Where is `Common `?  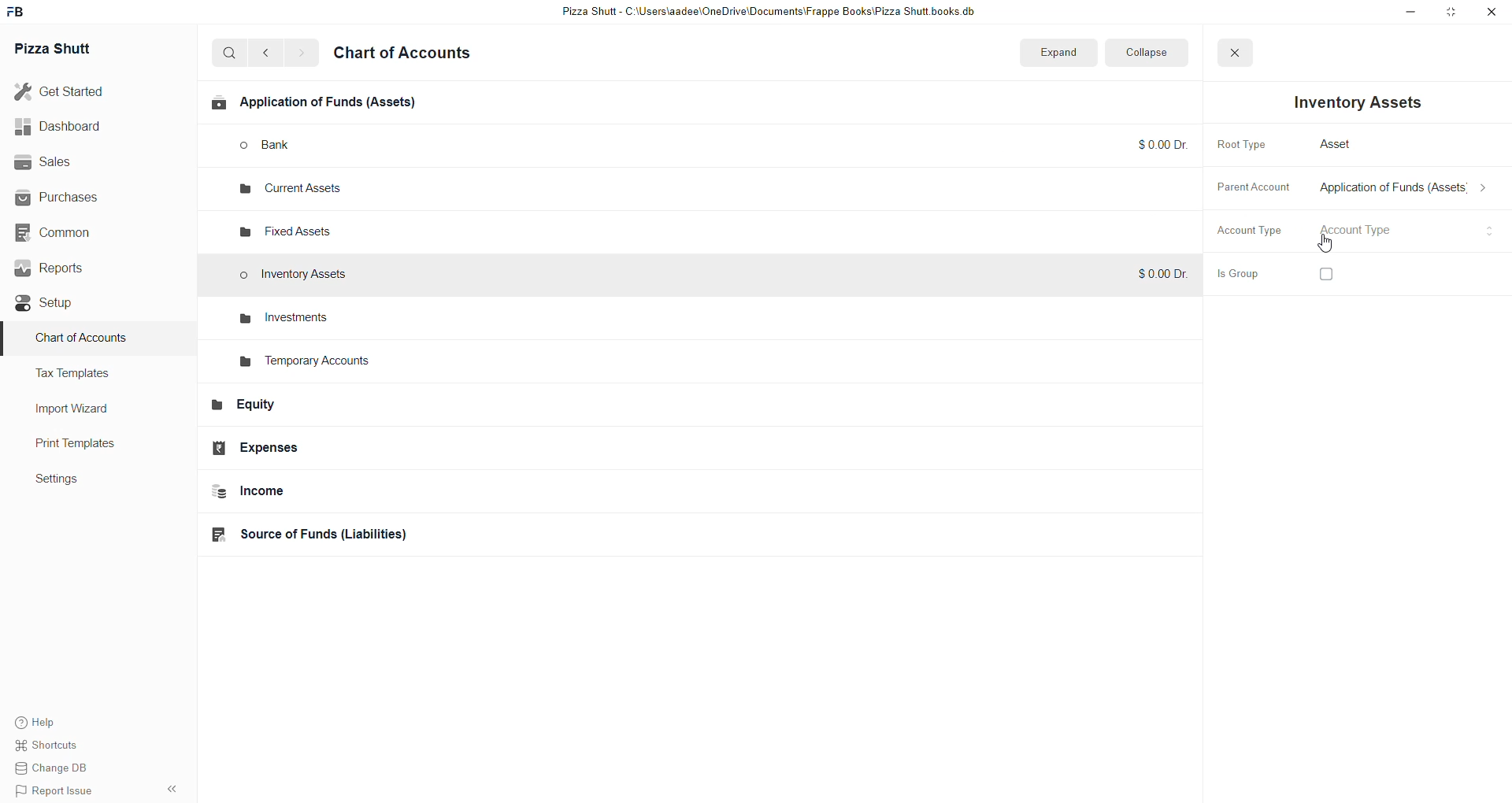
Common  is located at coordinates (67, 232).